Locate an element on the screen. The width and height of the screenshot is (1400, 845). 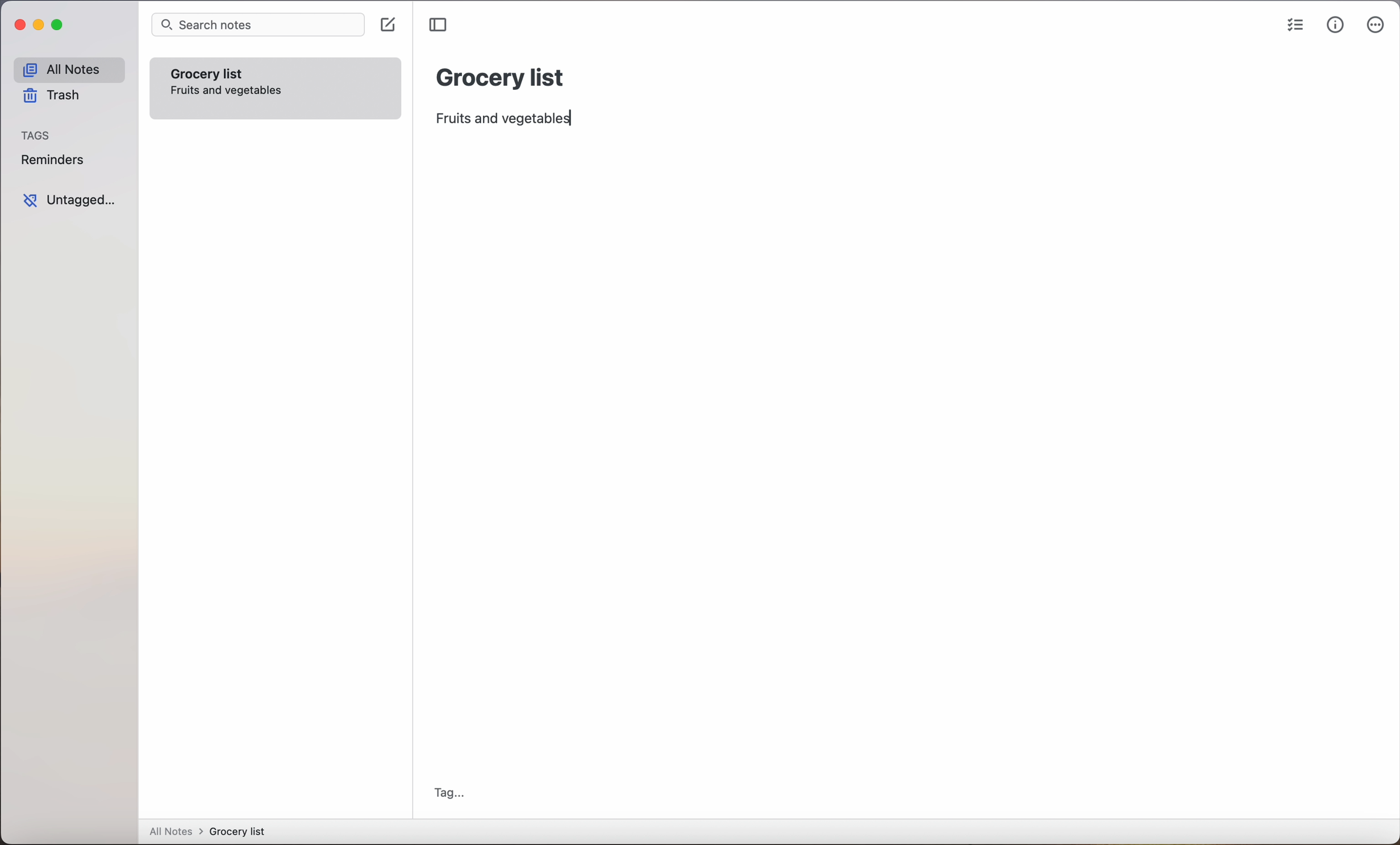
fruits and vegetables is located at coordinates (509, 119).